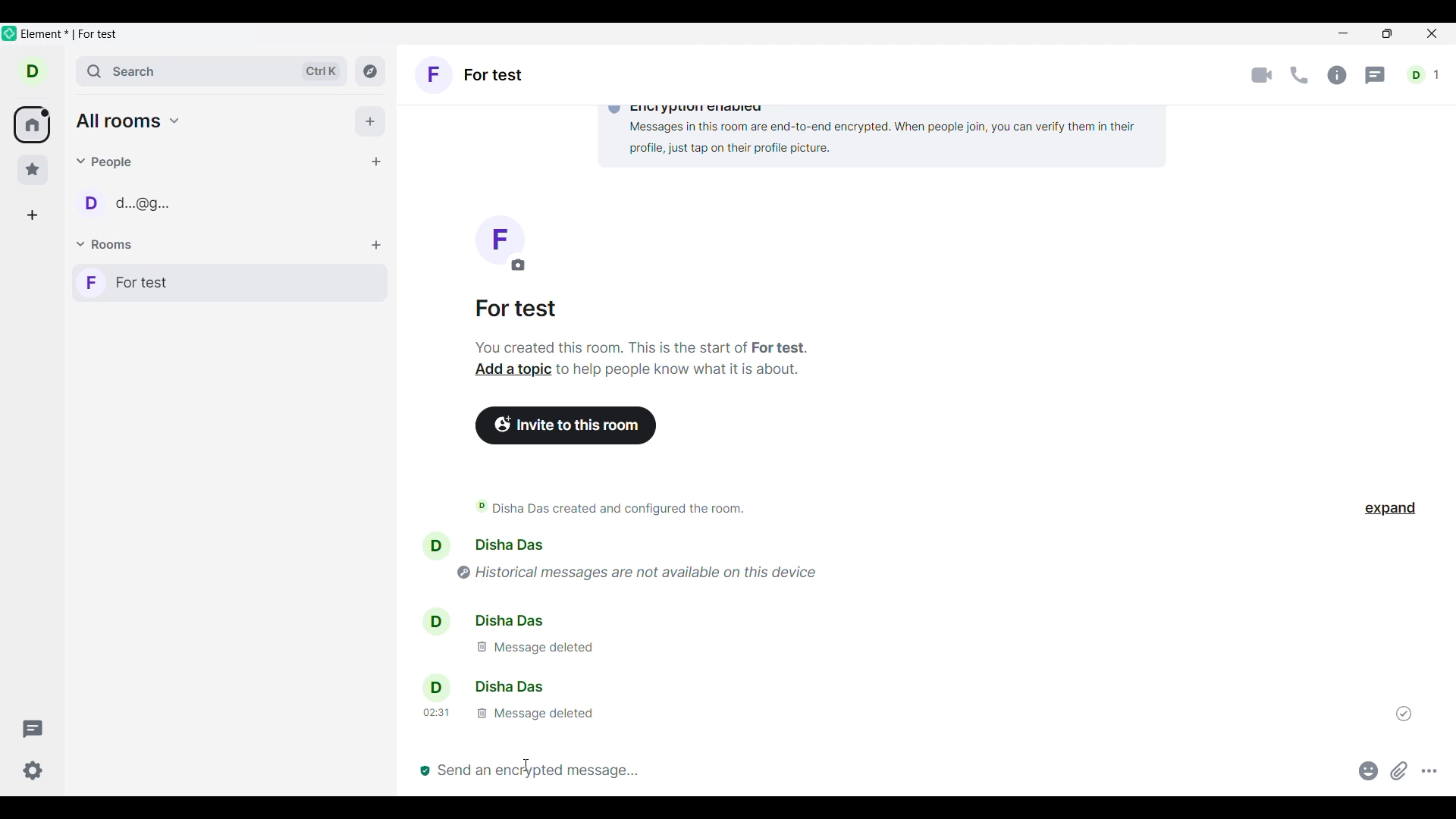 This screenshot has height=819, width=1456. Describe the element at coordinates (73, 35) in the screenshot. I see `Software and room name` at that location.